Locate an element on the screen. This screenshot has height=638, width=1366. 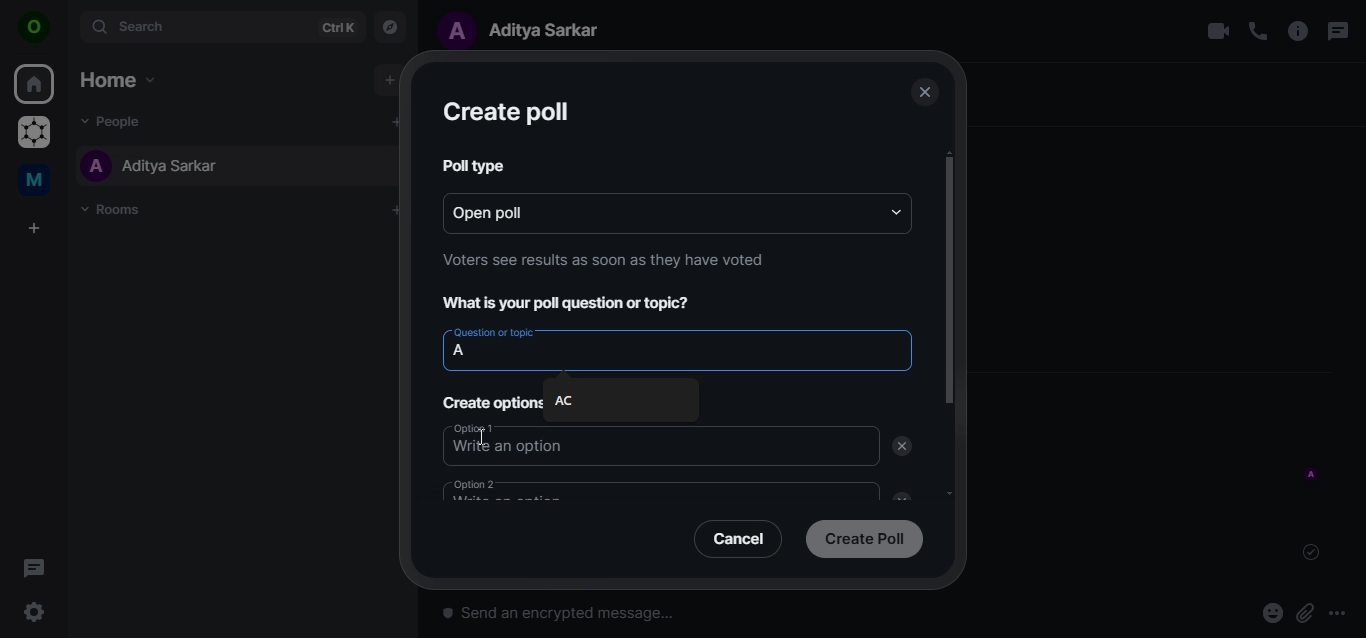
cancel is located at coordinates (742, 538).